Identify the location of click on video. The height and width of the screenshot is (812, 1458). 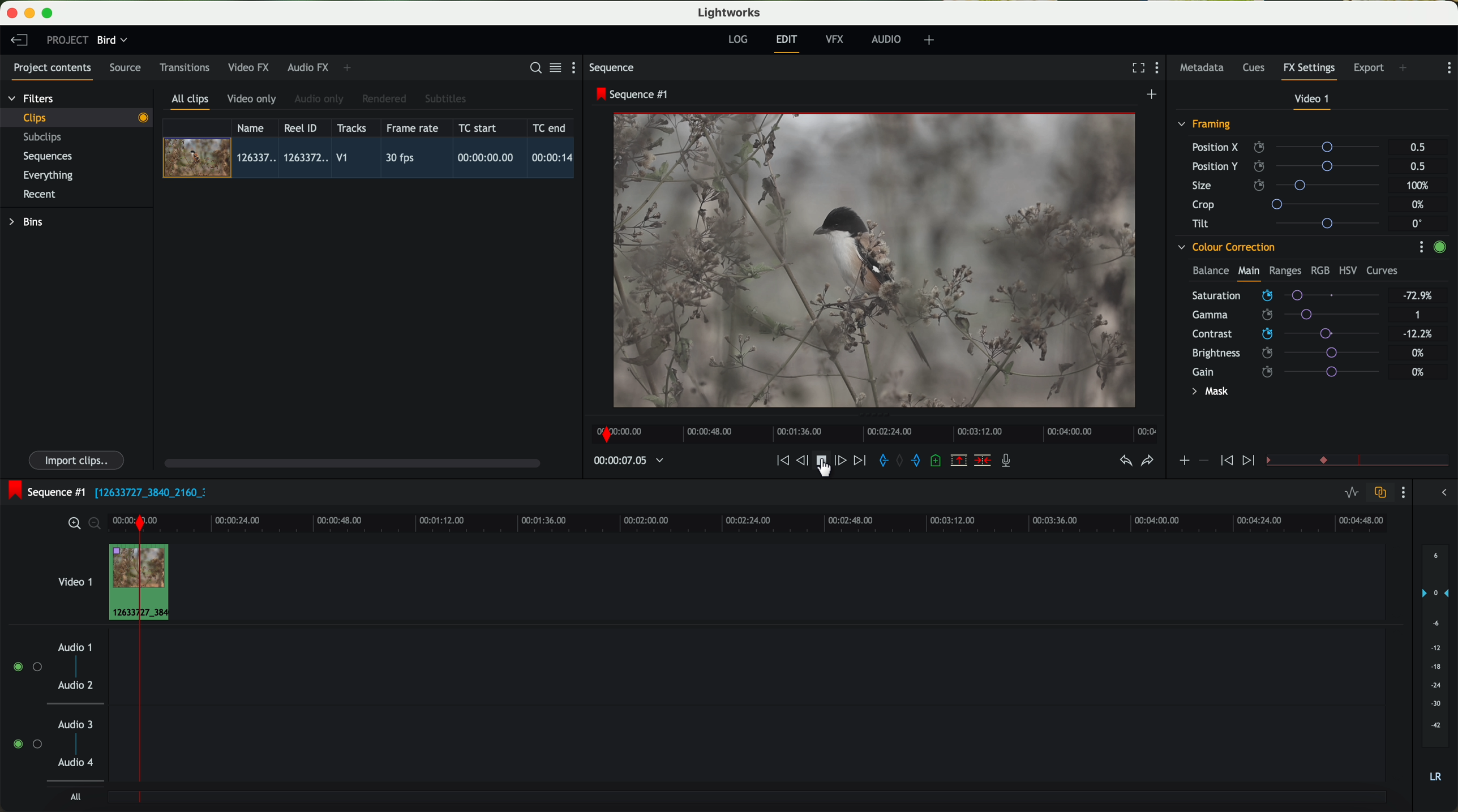
(372, 160).